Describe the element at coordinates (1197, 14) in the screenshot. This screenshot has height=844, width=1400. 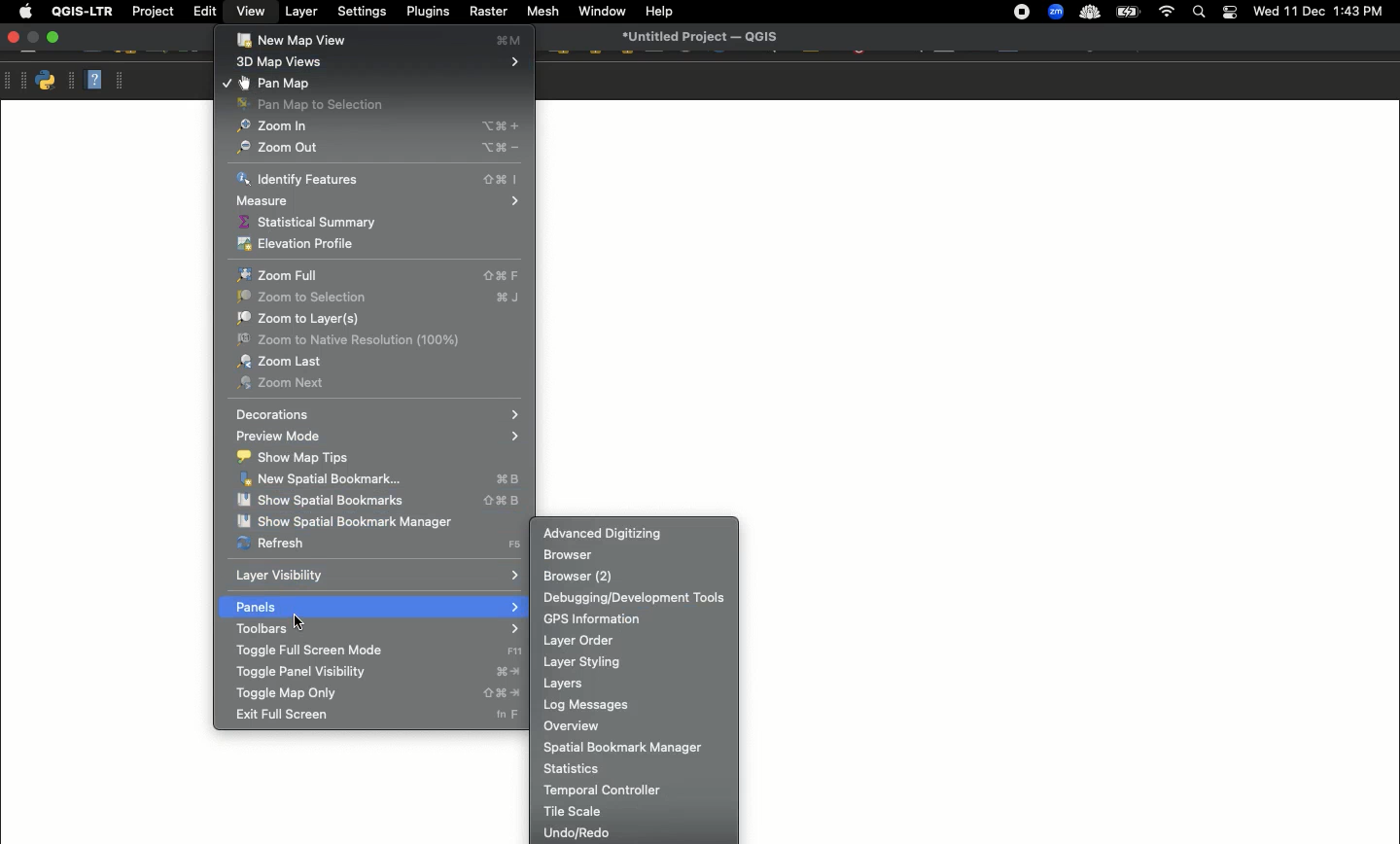
I see `Search` at that location.